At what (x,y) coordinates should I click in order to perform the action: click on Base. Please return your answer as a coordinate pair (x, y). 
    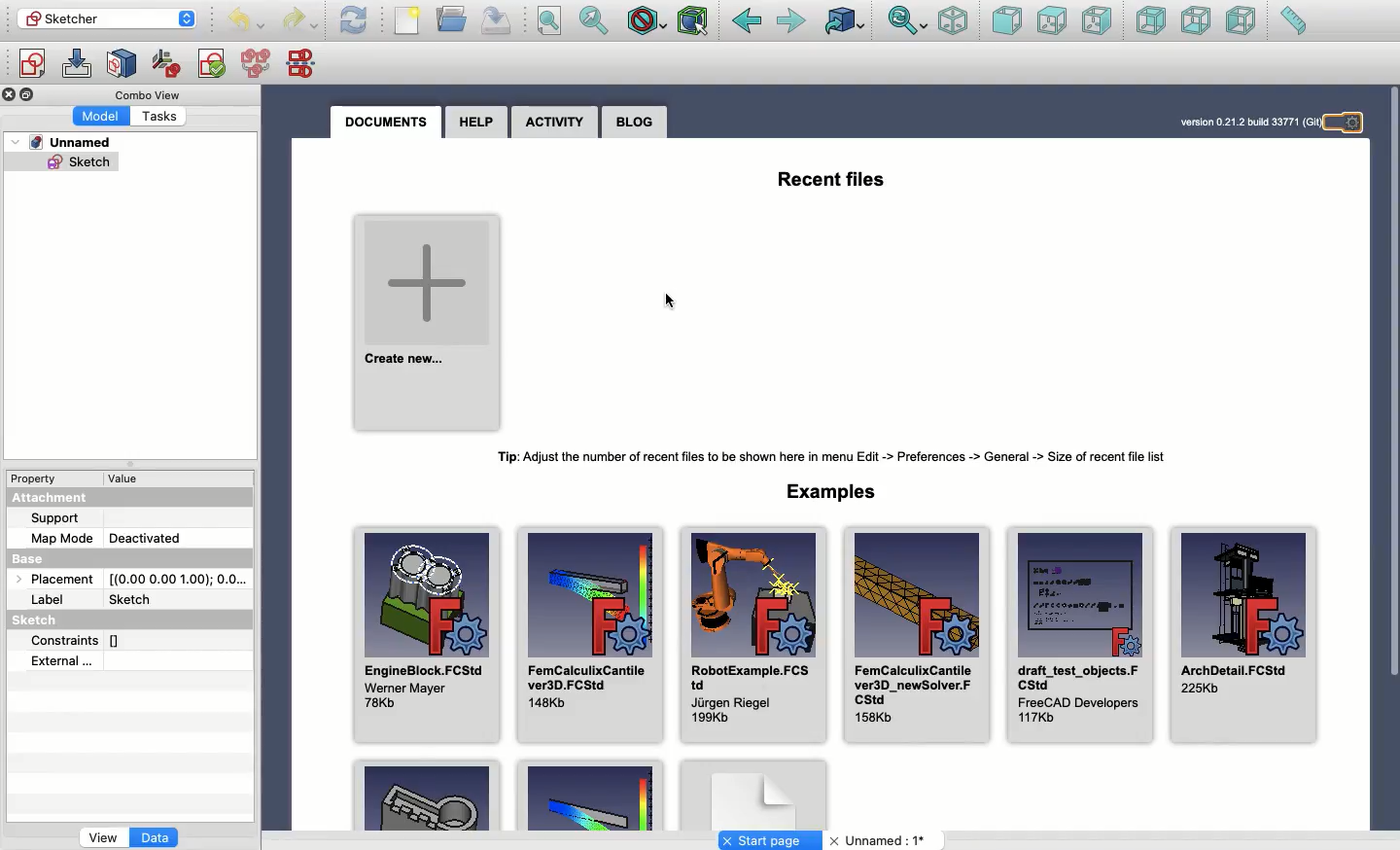
    Looking at the image, I should click on (34, 560).